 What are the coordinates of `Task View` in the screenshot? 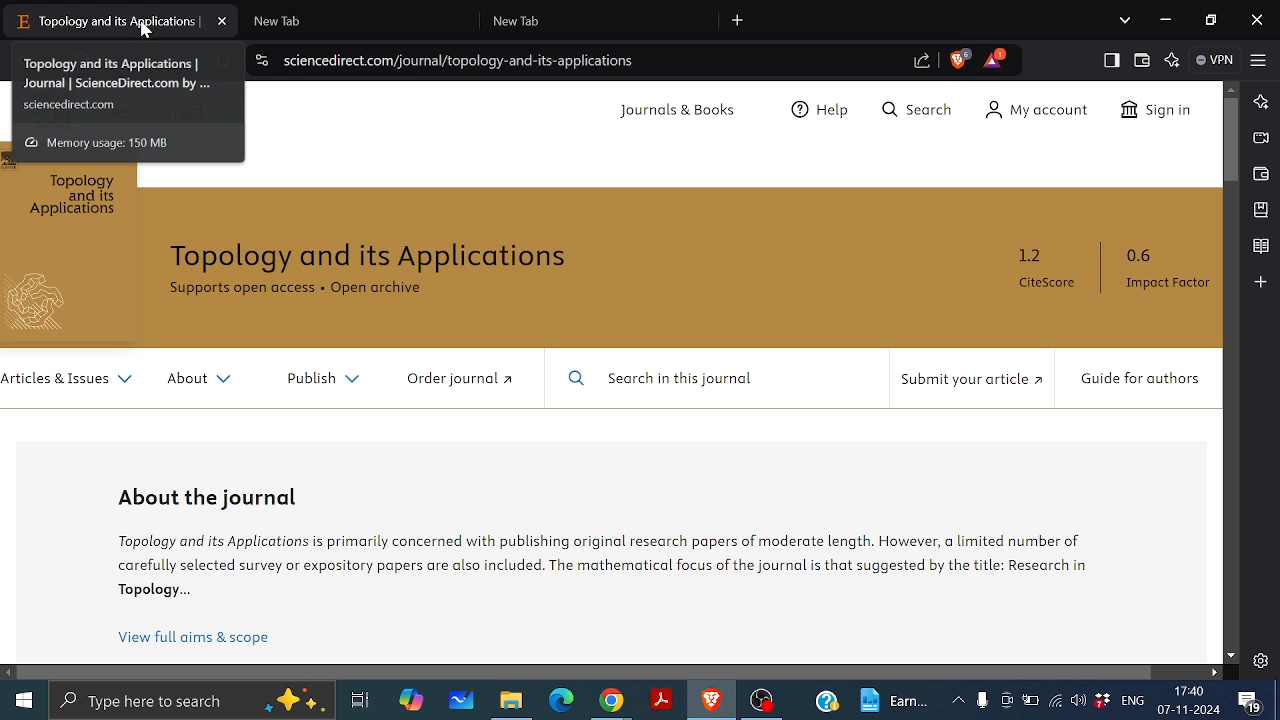 It's located at (362, 701).